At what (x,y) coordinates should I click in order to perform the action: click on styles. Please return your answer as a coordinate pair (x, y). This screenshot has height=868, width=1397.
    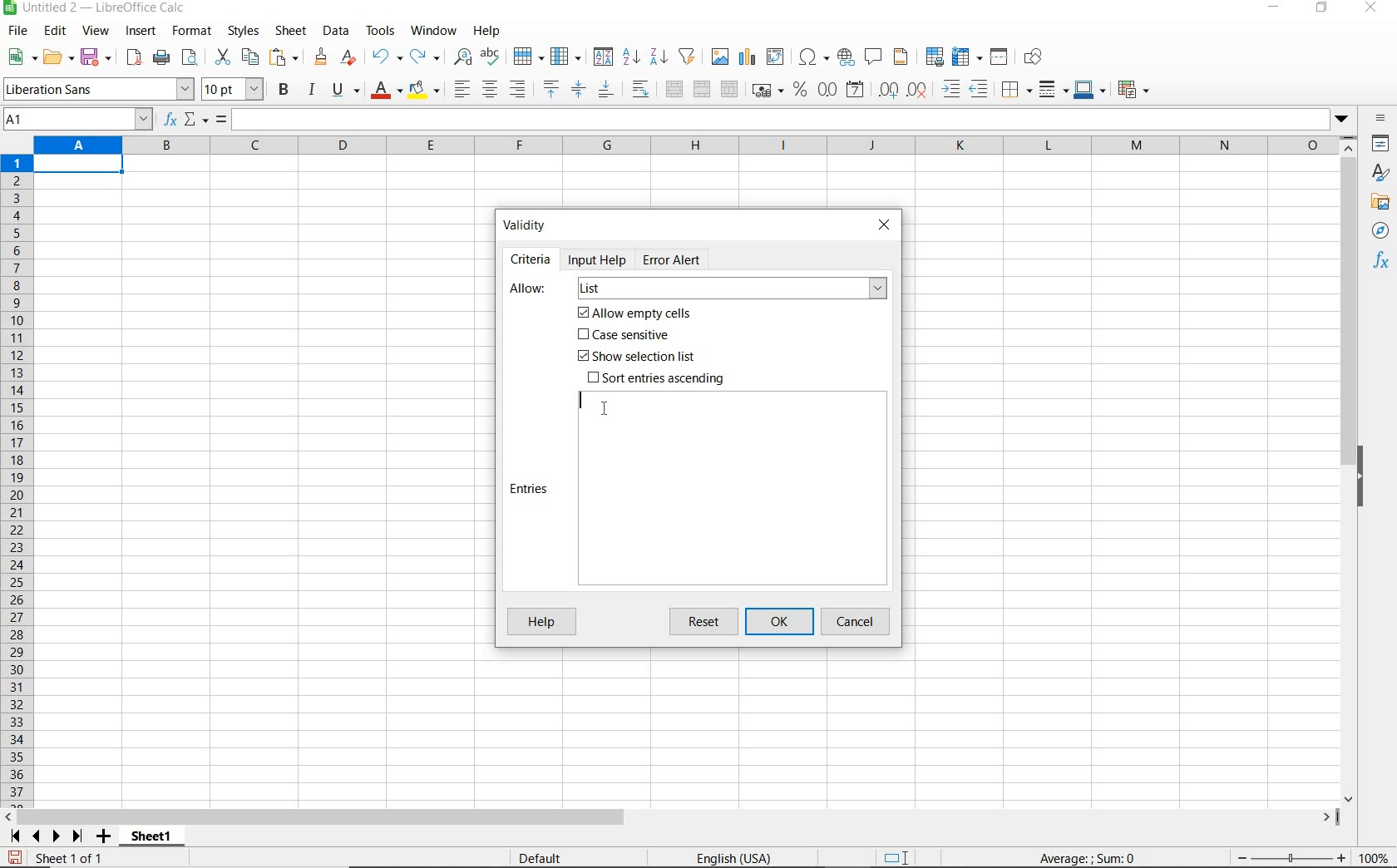
    Looking at the image, I should click on (242, 32).